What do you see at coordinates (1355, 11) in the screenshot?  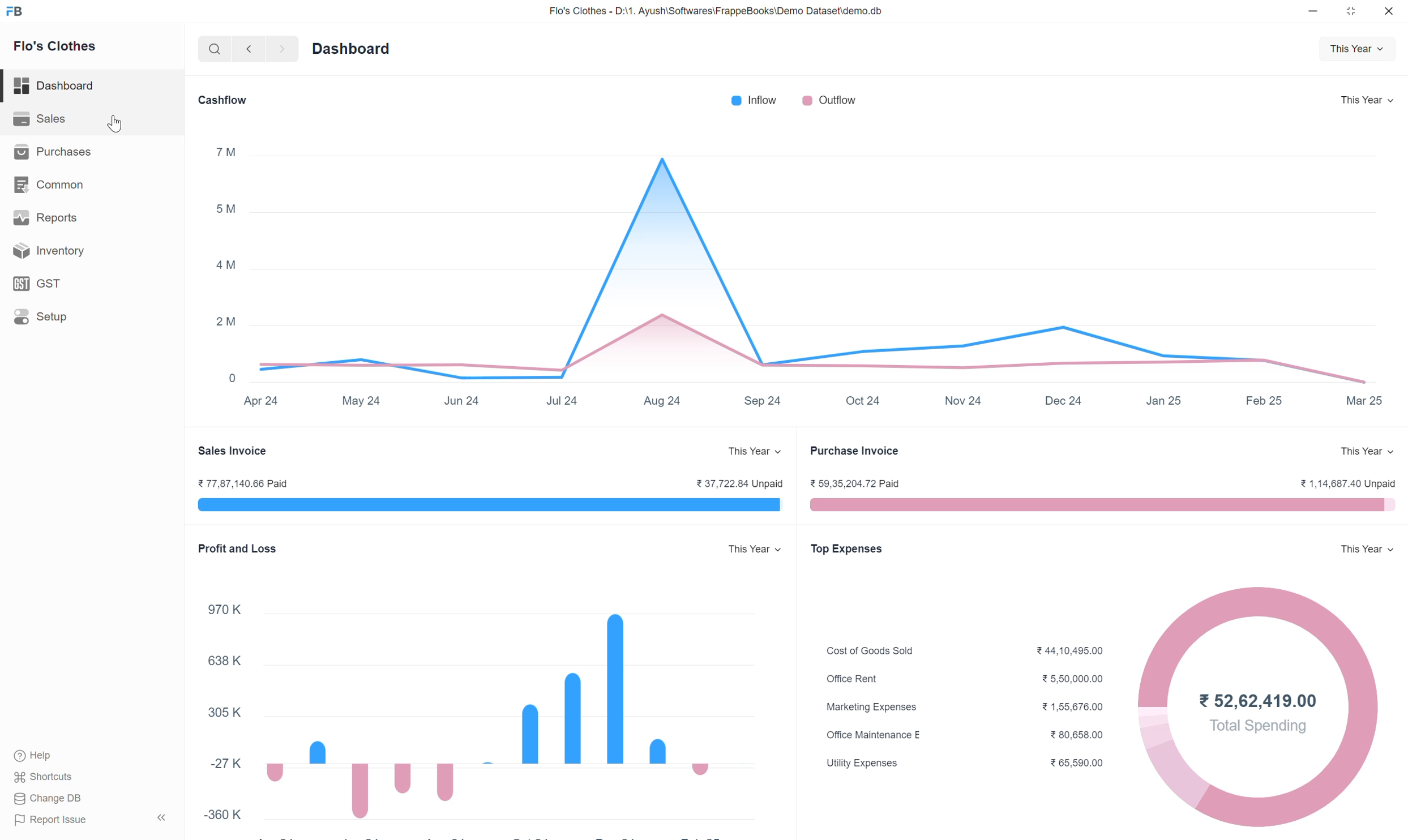 I see `close down` at bounding box center [1355, 11].